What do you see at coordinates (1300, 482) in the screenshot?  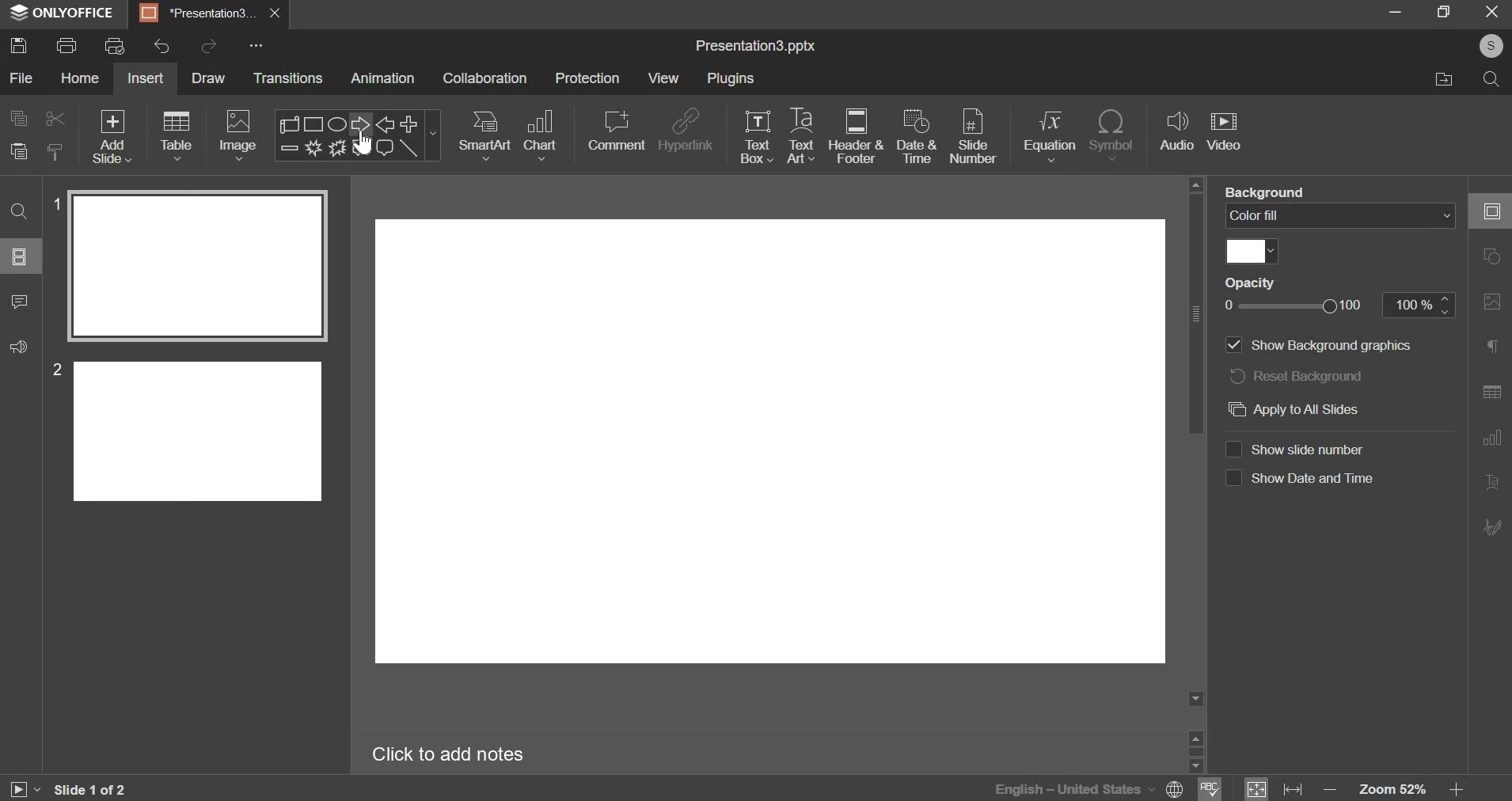 I see `Slide date and time` at bounding box center [1300, 482].